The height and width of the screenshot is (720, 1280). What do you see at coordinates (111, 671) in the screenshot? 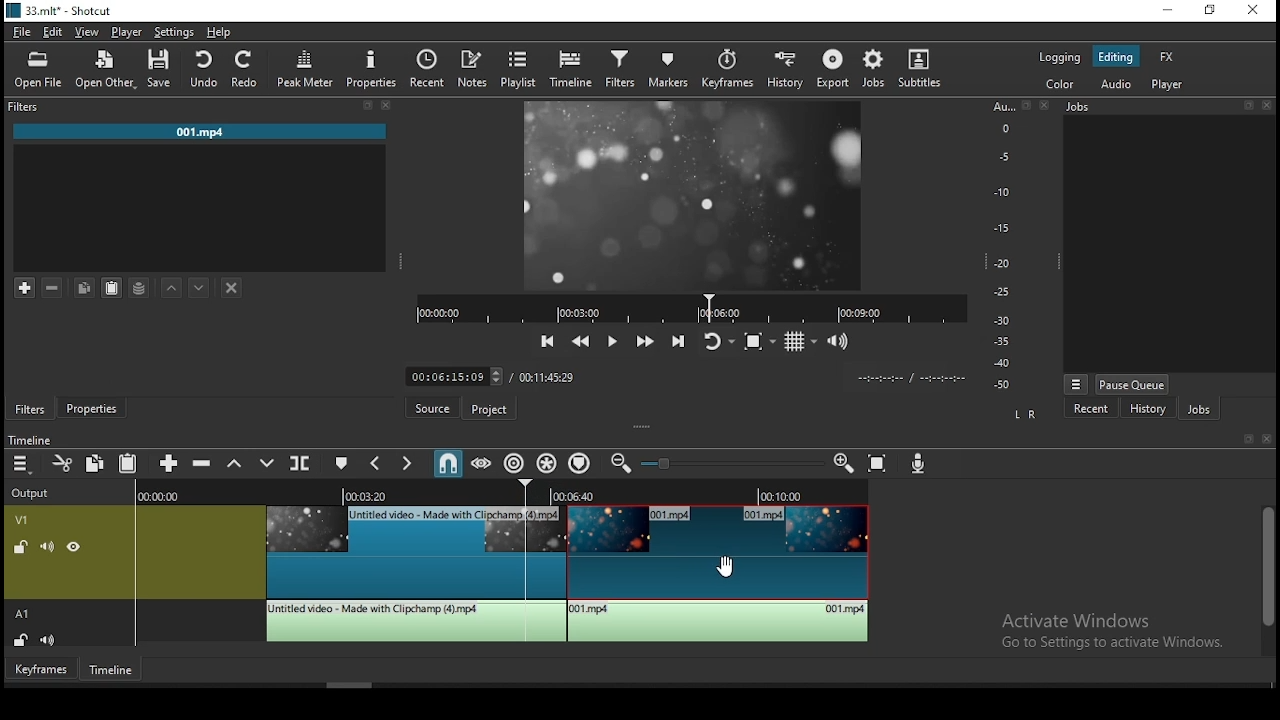
I see `timeline` at bounding box center [111, 671].